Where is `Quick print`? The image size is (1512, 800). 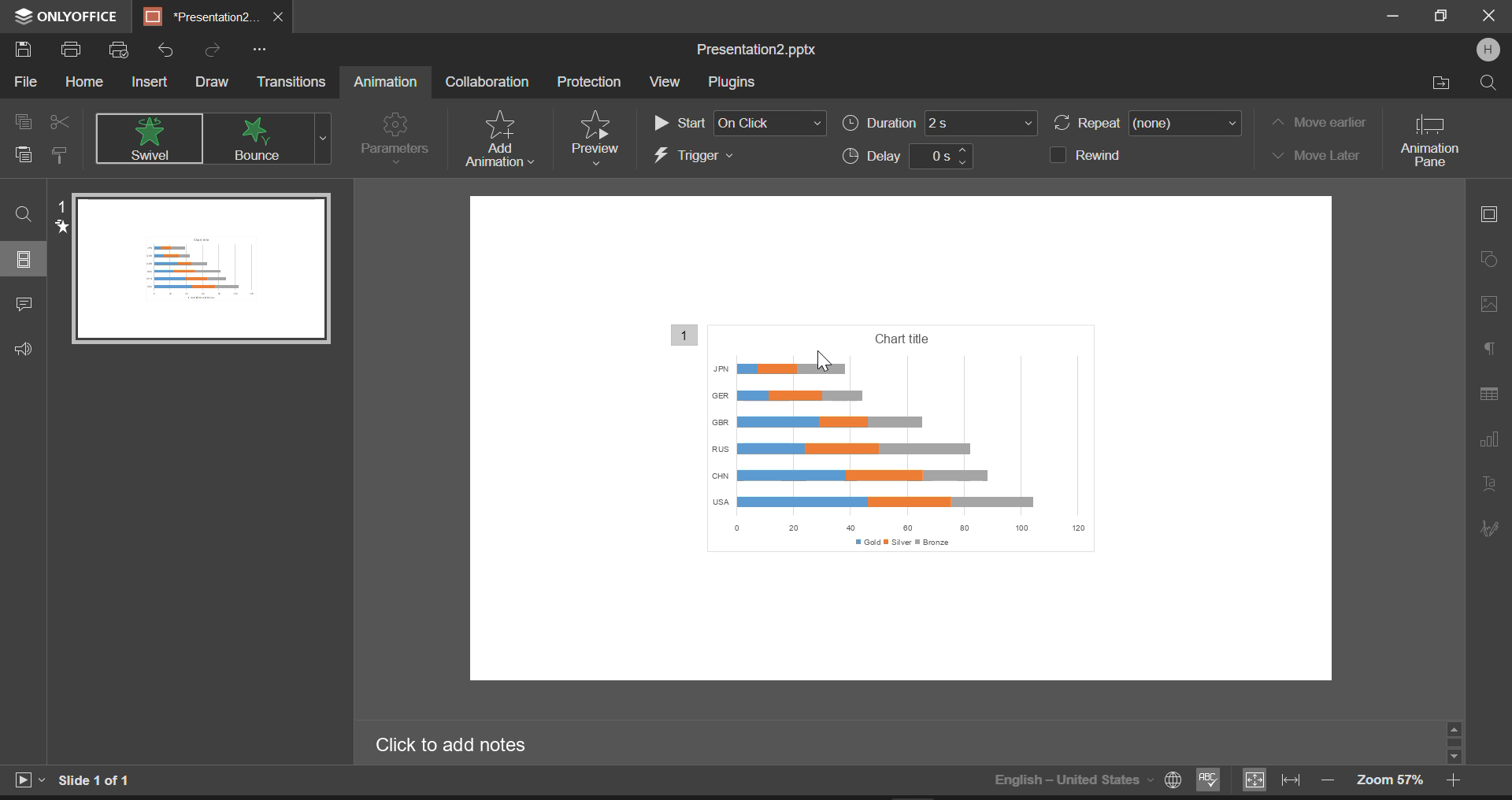 Quick print is located at coordinates (120, 51).